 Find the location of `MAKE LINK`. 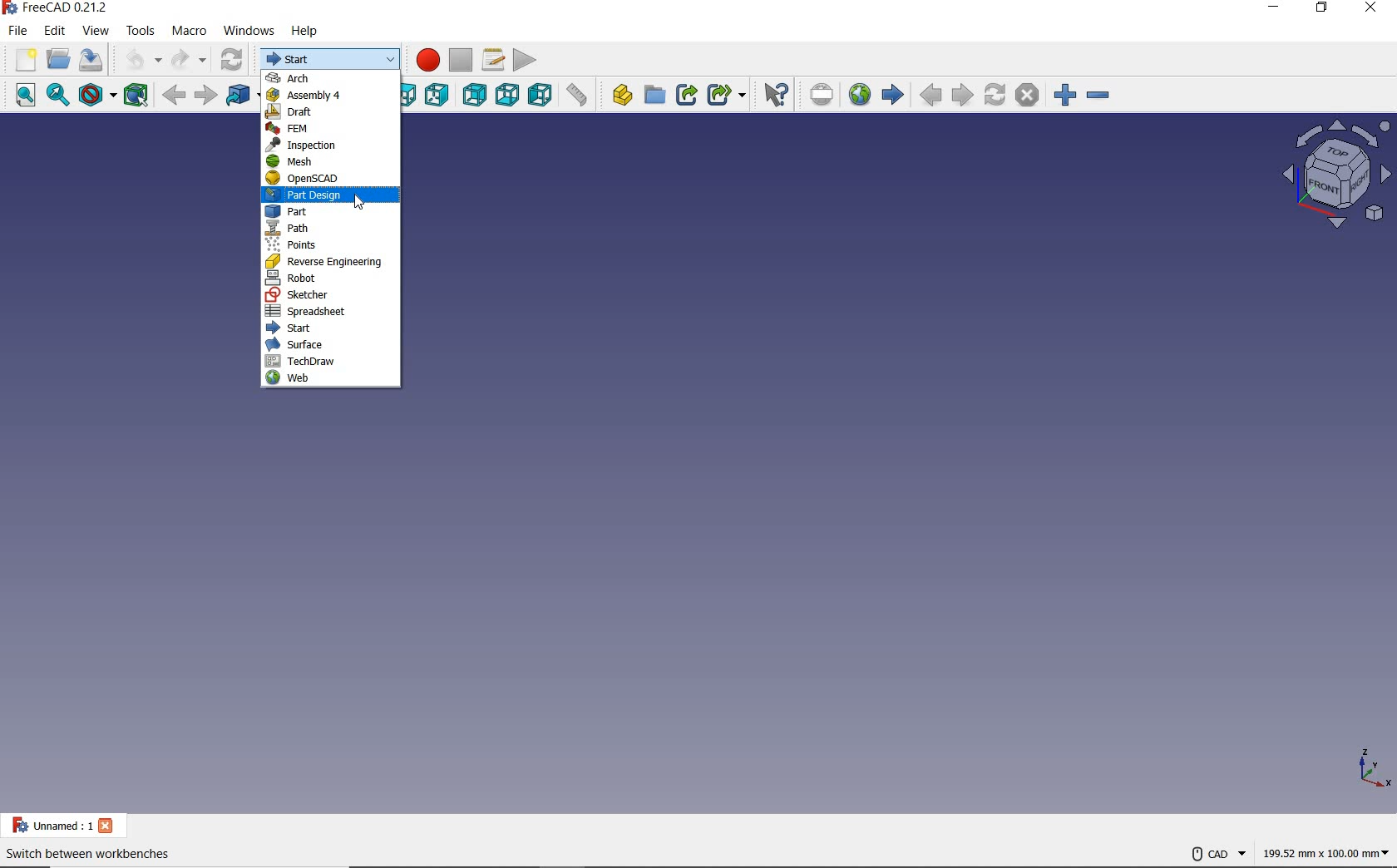

MAKE LINK is located at coordinates (688, 94).